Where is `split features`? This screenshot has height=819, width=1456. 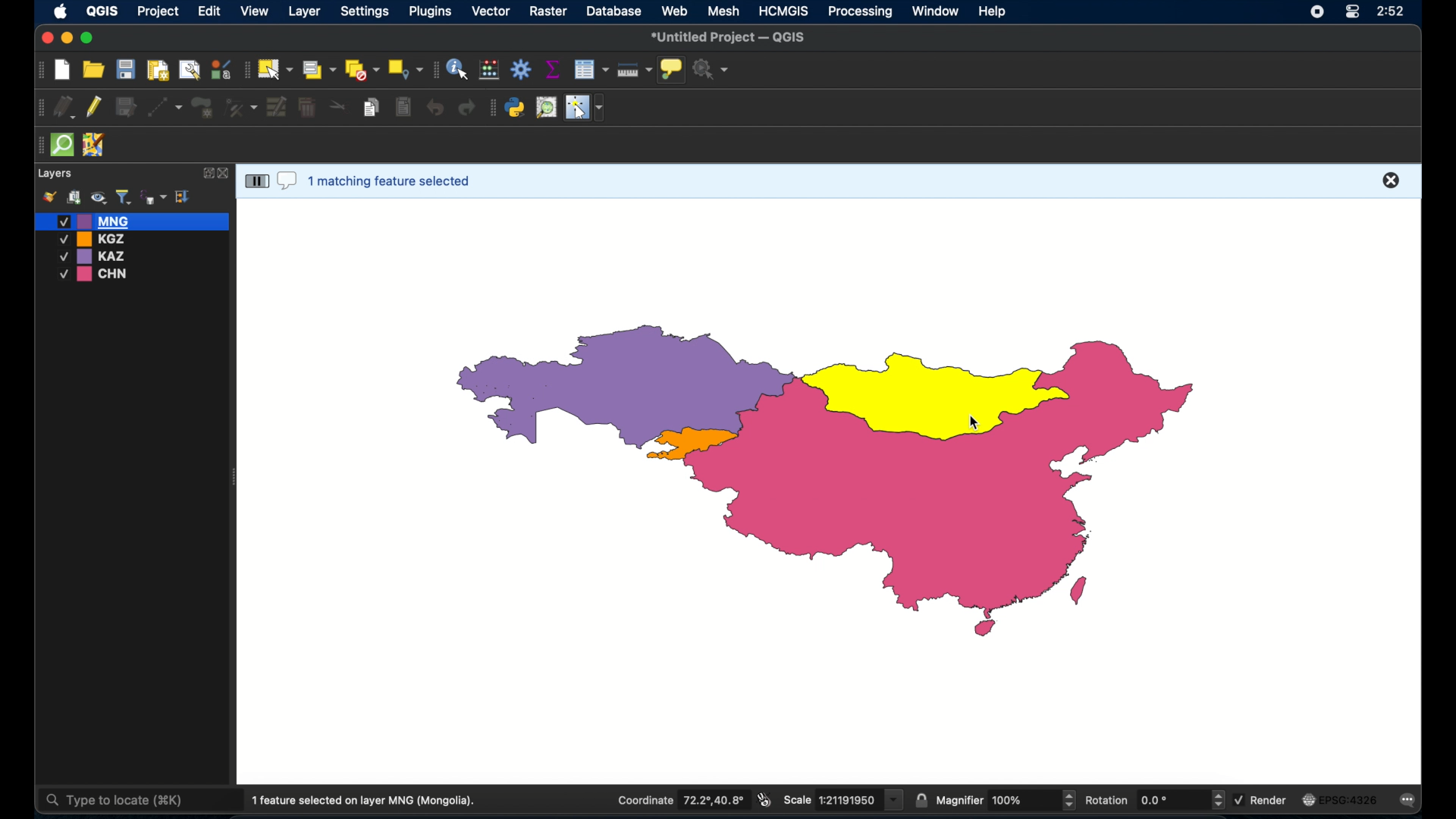 split features is located at coordinates (338, 108).